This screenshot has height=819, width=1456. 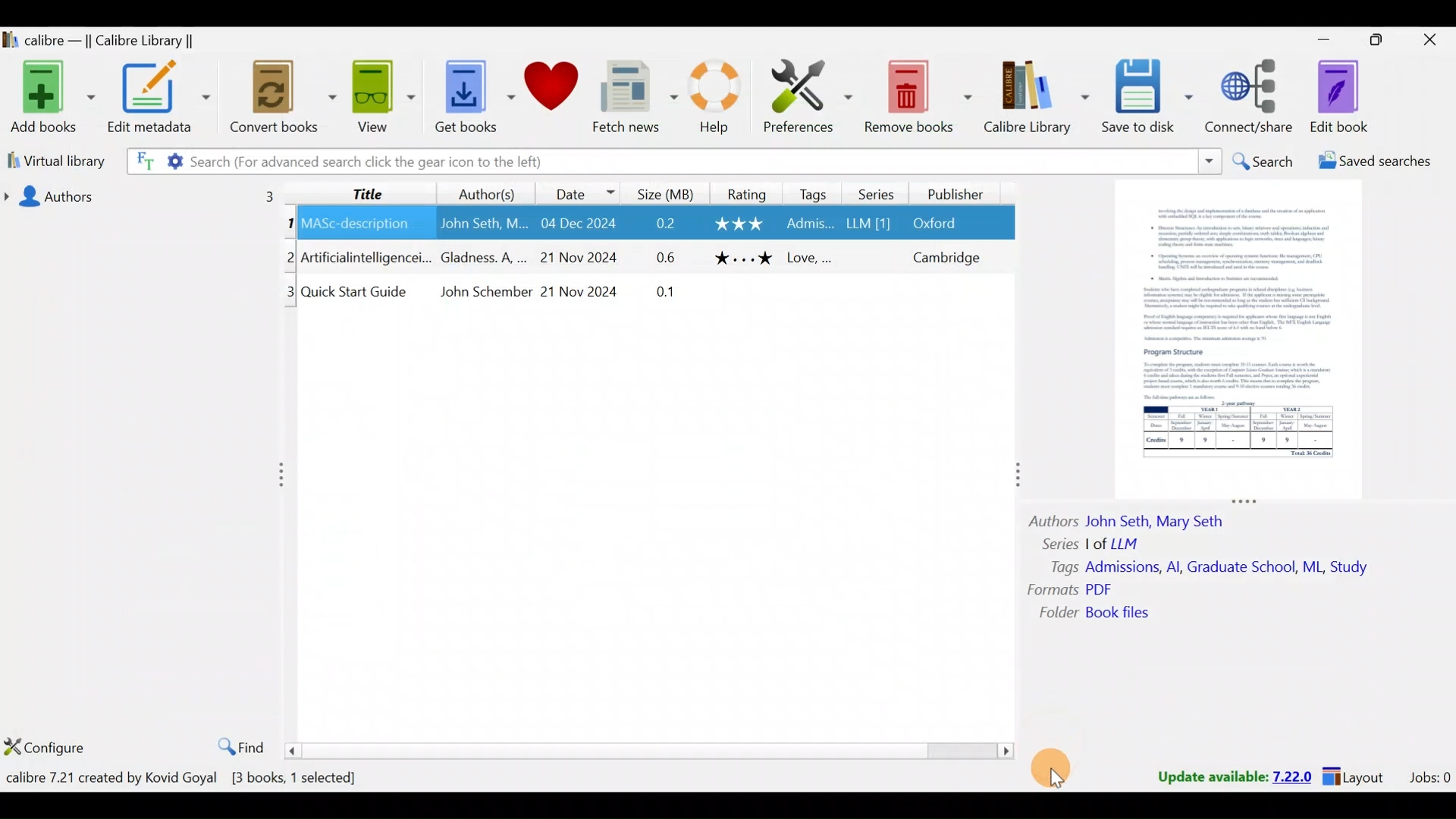 What do you see at coordinates (551, 101) in the screenshot?
I see `Donate` at bounding box center [551, 101].